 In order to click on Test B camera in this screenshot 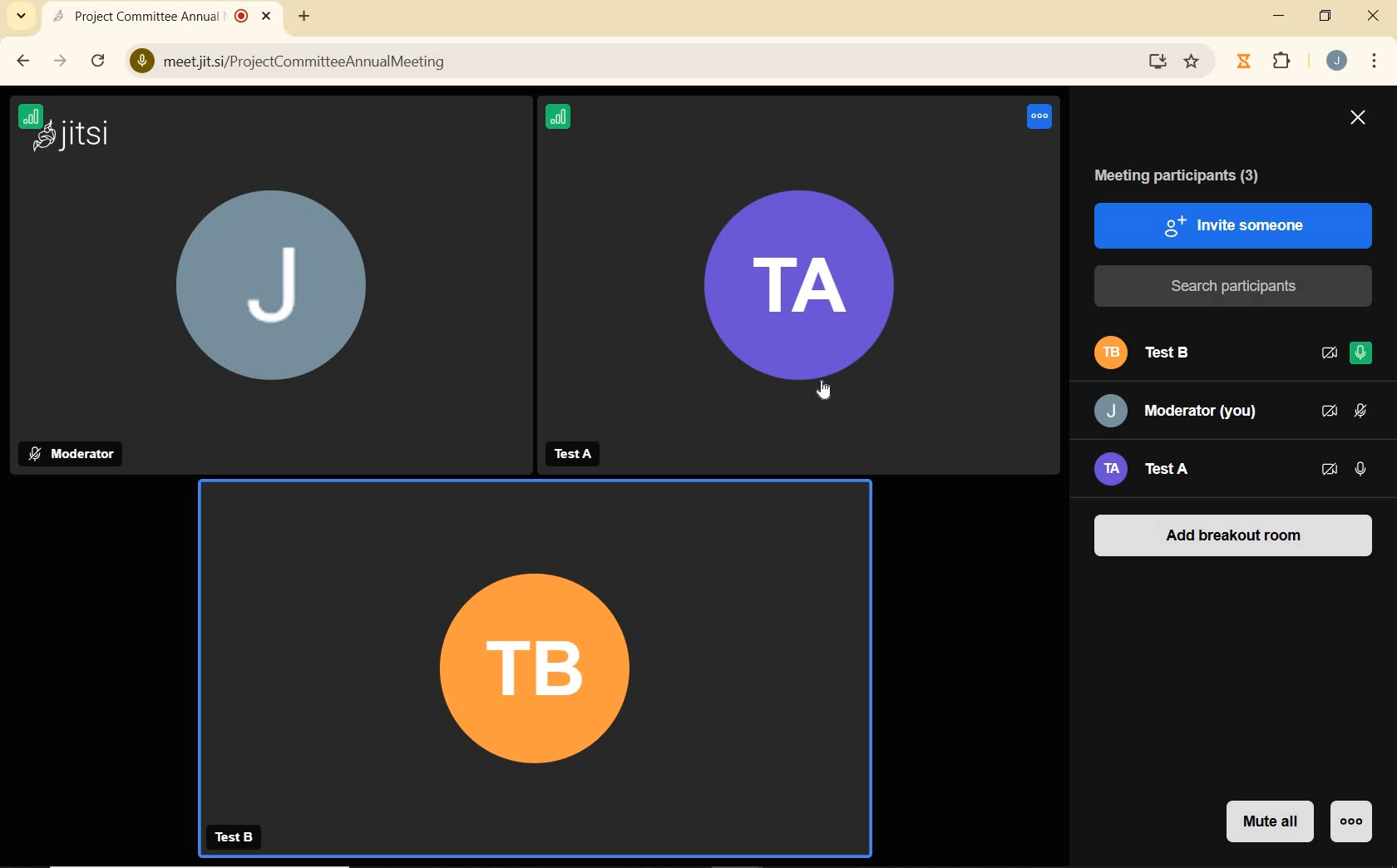, I will do `click(536, 649)`.